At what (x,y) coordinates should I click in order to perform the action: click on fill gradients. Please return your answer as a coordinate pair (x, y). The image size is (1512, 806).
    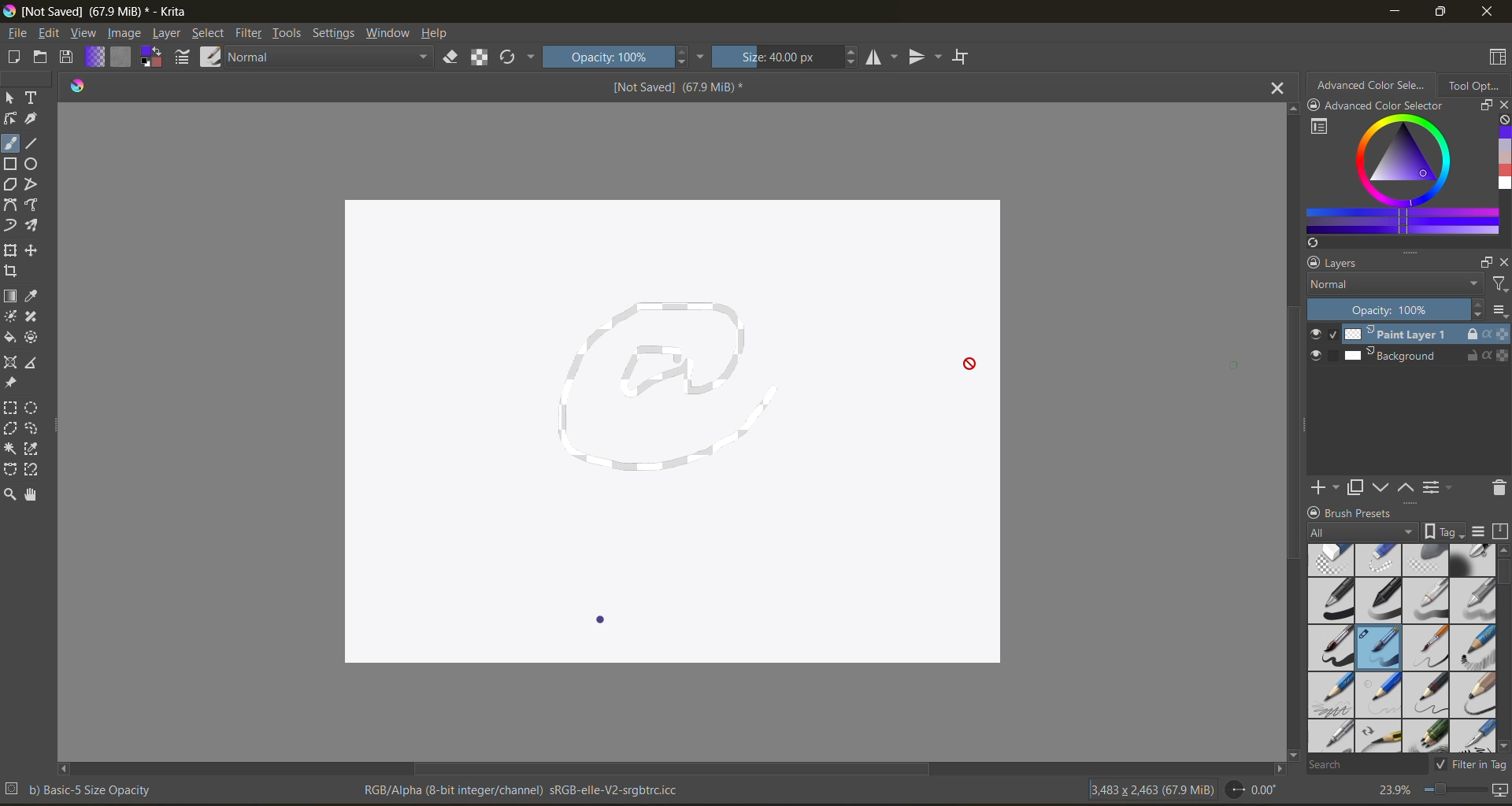
    Looking at the image, I should click on (94, 57).